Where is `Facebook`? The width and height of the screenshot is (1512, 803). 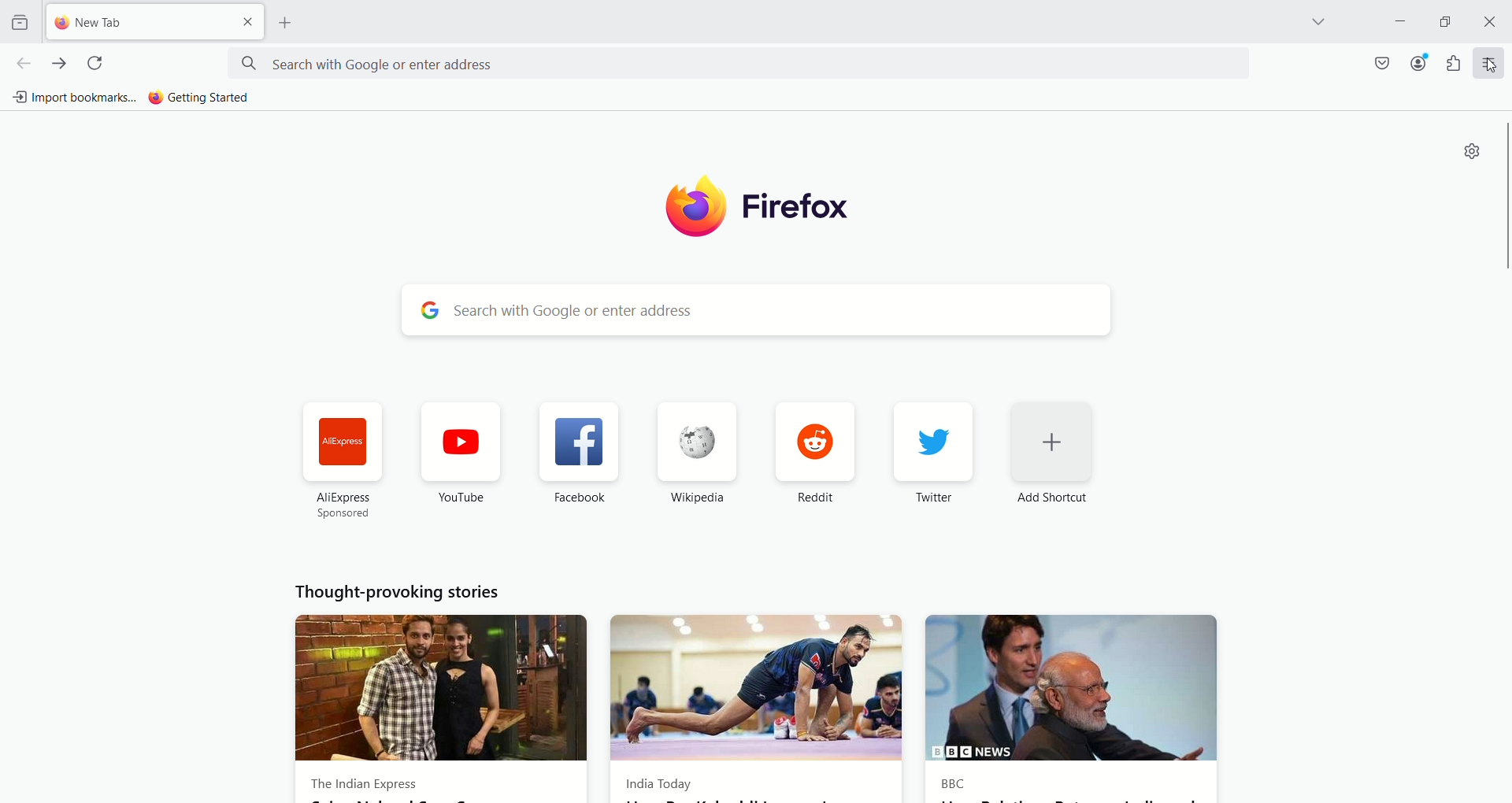 Facebook is located at coordinates (576, 450).